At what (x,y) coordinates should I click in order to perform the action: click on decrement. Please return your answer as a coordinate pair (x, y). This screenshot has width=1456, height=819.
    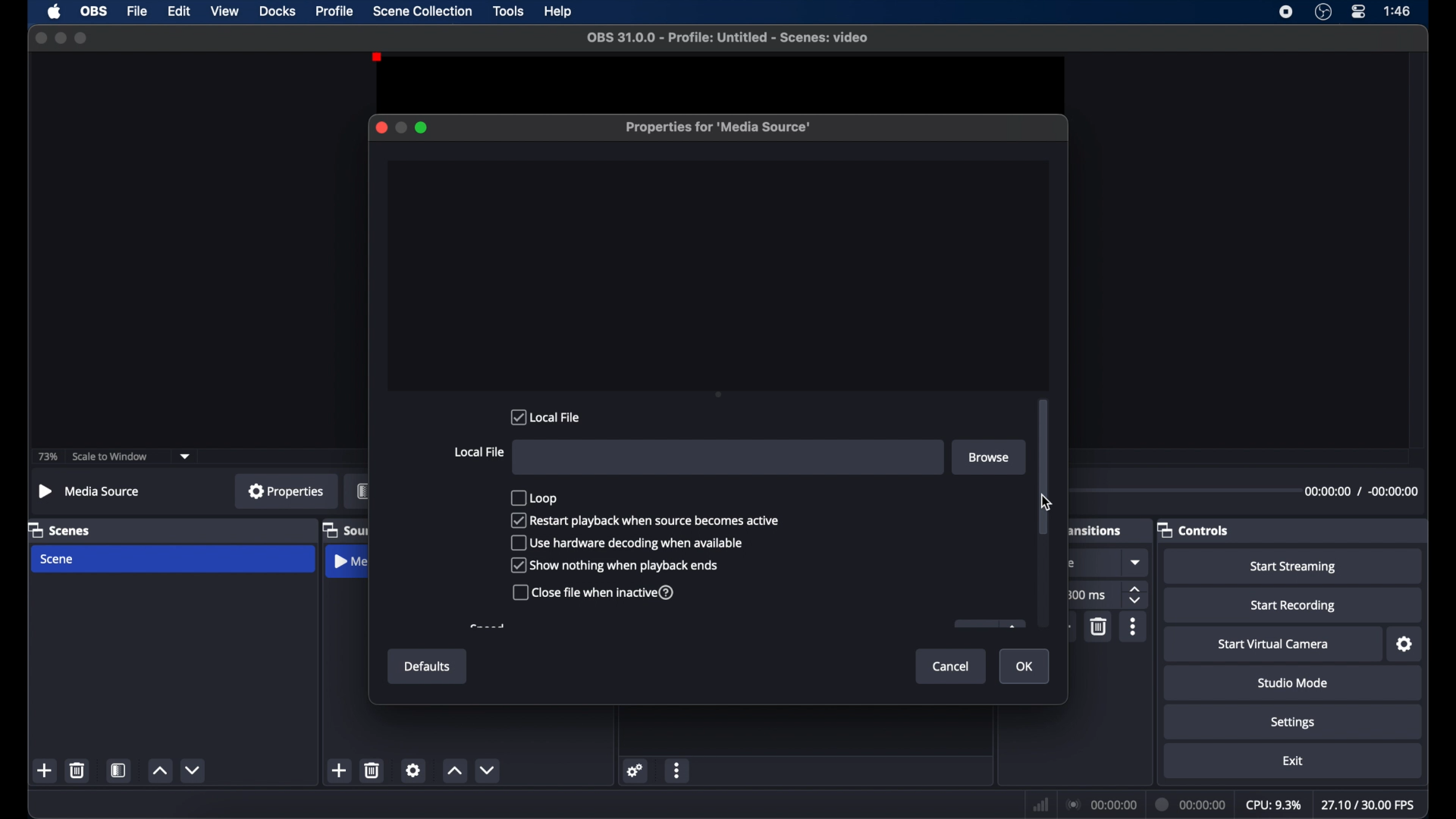
    Looking at the image, I should click on (488, 770).